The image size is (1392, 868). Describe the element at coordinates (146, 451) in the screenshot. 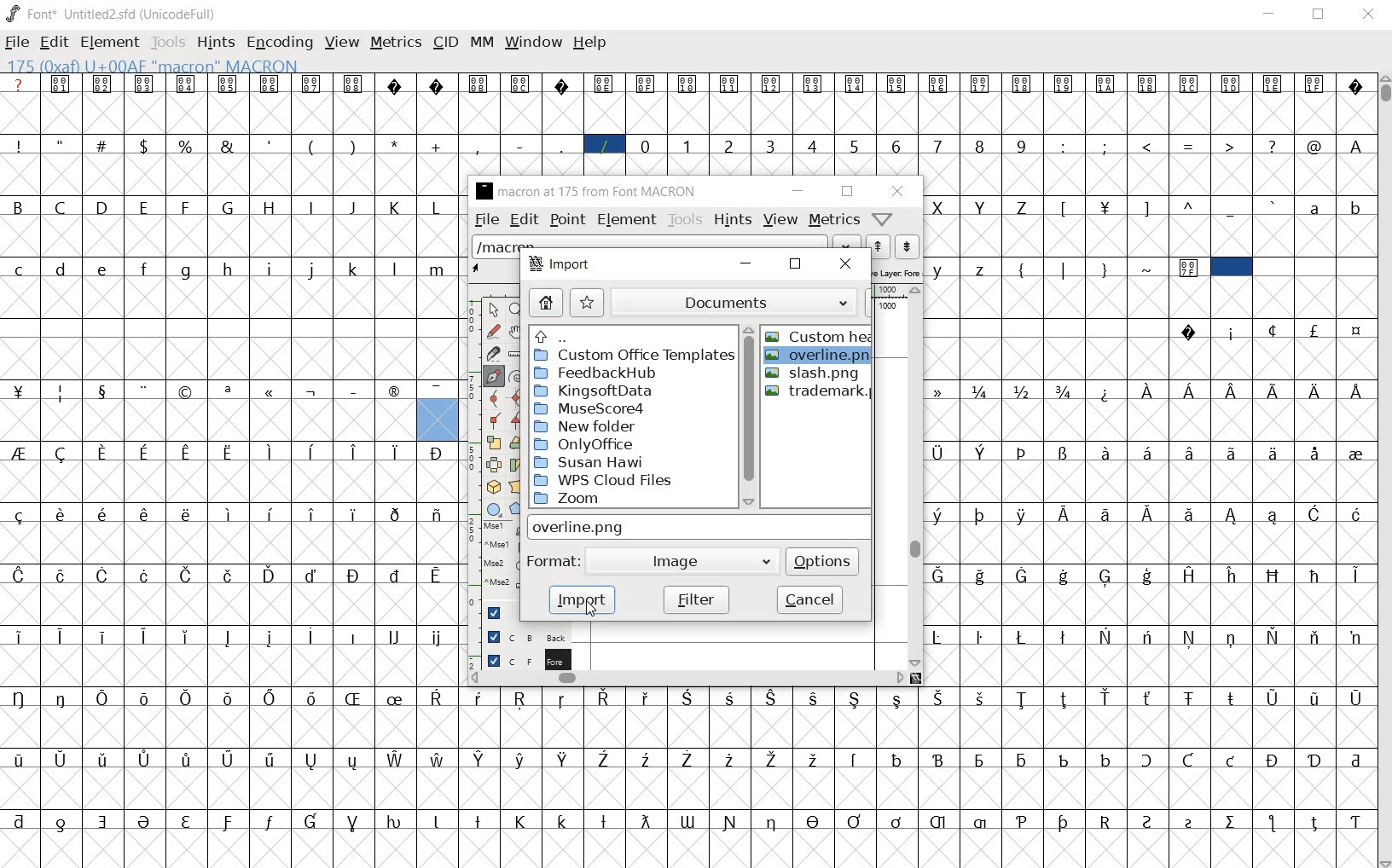

I see `Symbol` at that location.